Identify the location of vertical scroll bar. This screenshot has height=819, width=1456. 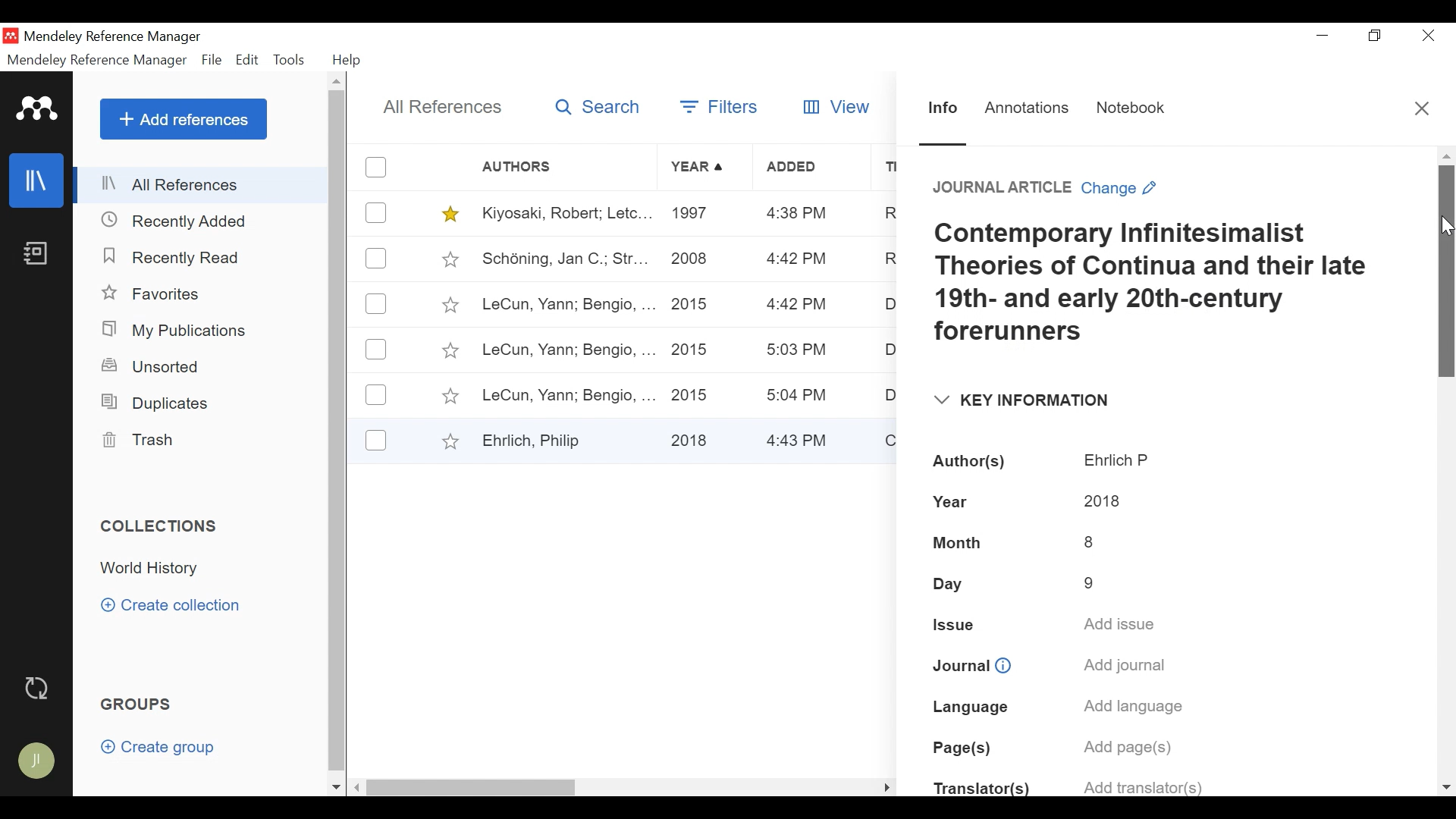
(336, 431).